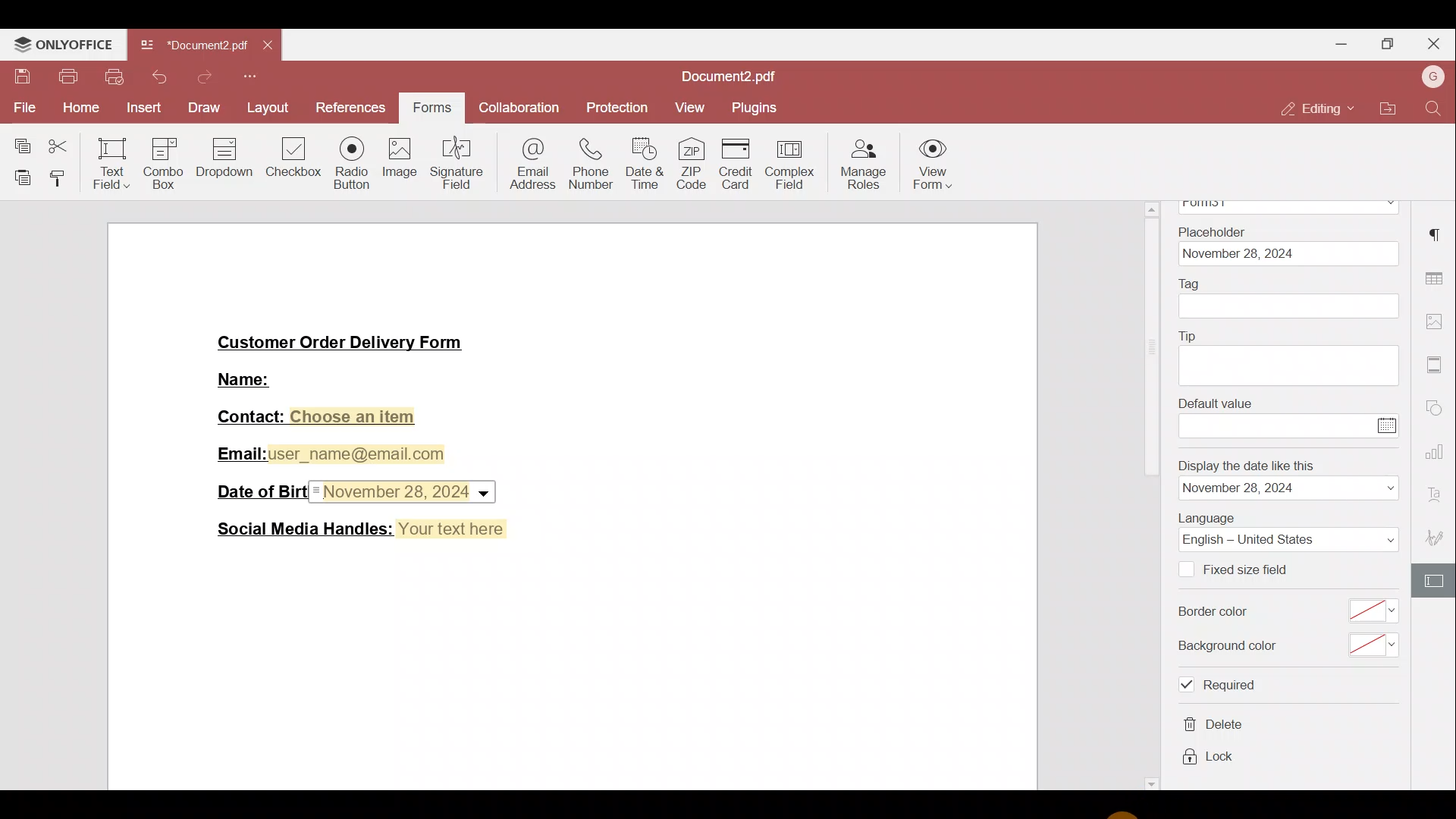 This screenshot has width=1456, height=819. Describe the element at coordinates (1313, 108) in the screenshot. I see `Editing mode` at that location.